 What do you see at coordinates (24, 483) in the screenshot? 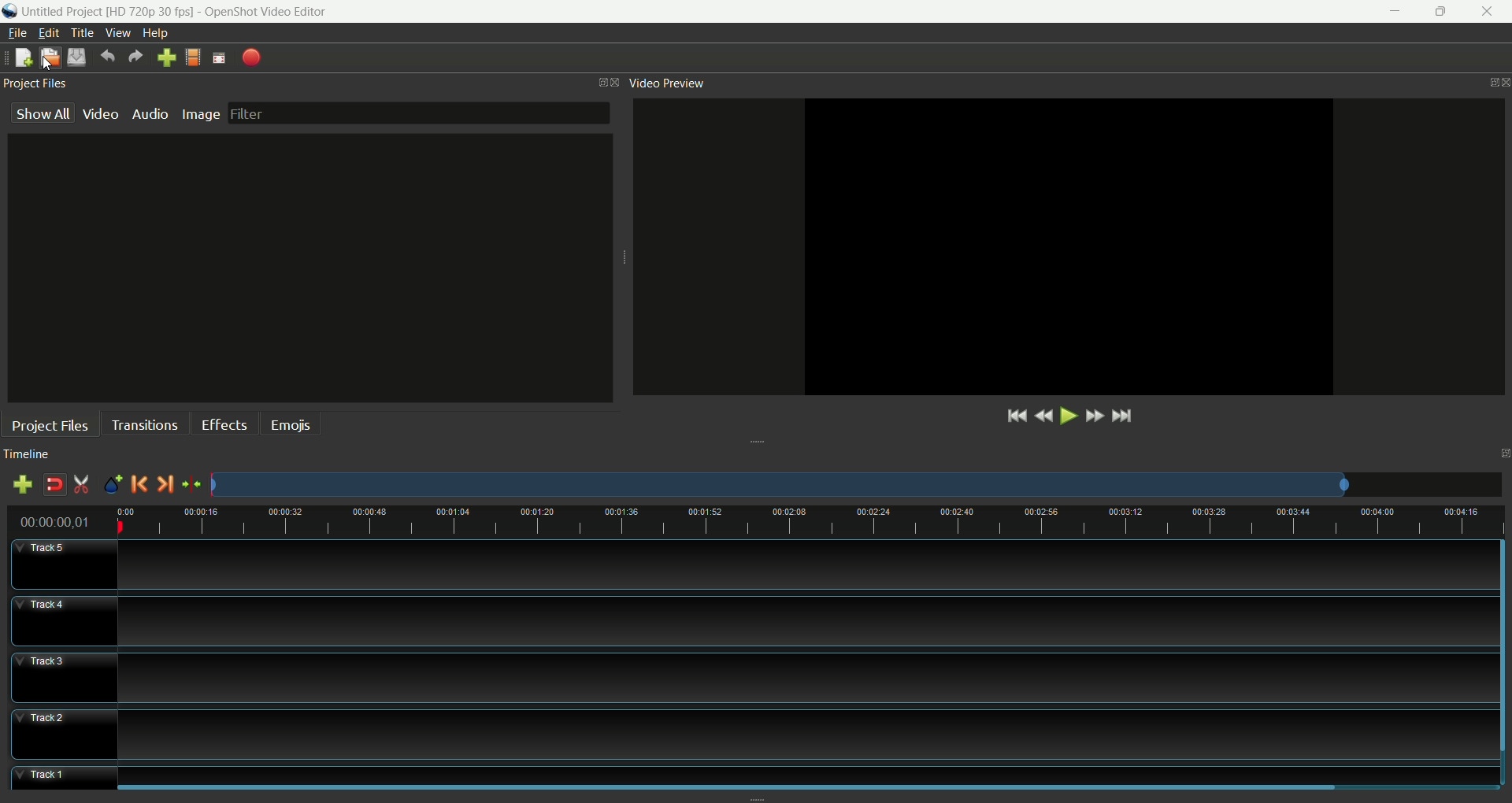
I see `add track` at bounding box center [24, 483].